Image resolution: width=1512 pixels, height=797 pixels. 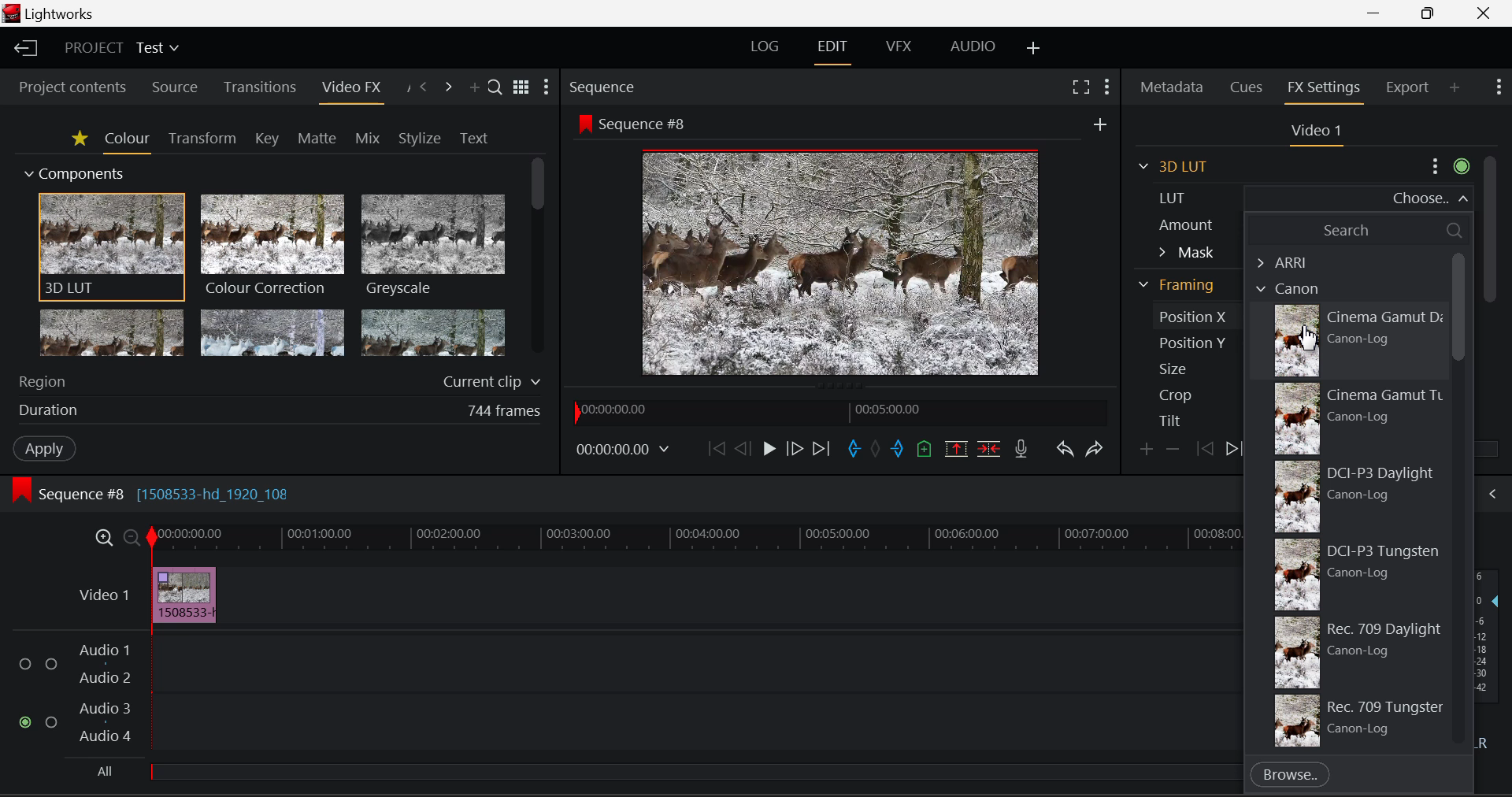 I want to click on Delete/Cut, so click(x=991, y=449).